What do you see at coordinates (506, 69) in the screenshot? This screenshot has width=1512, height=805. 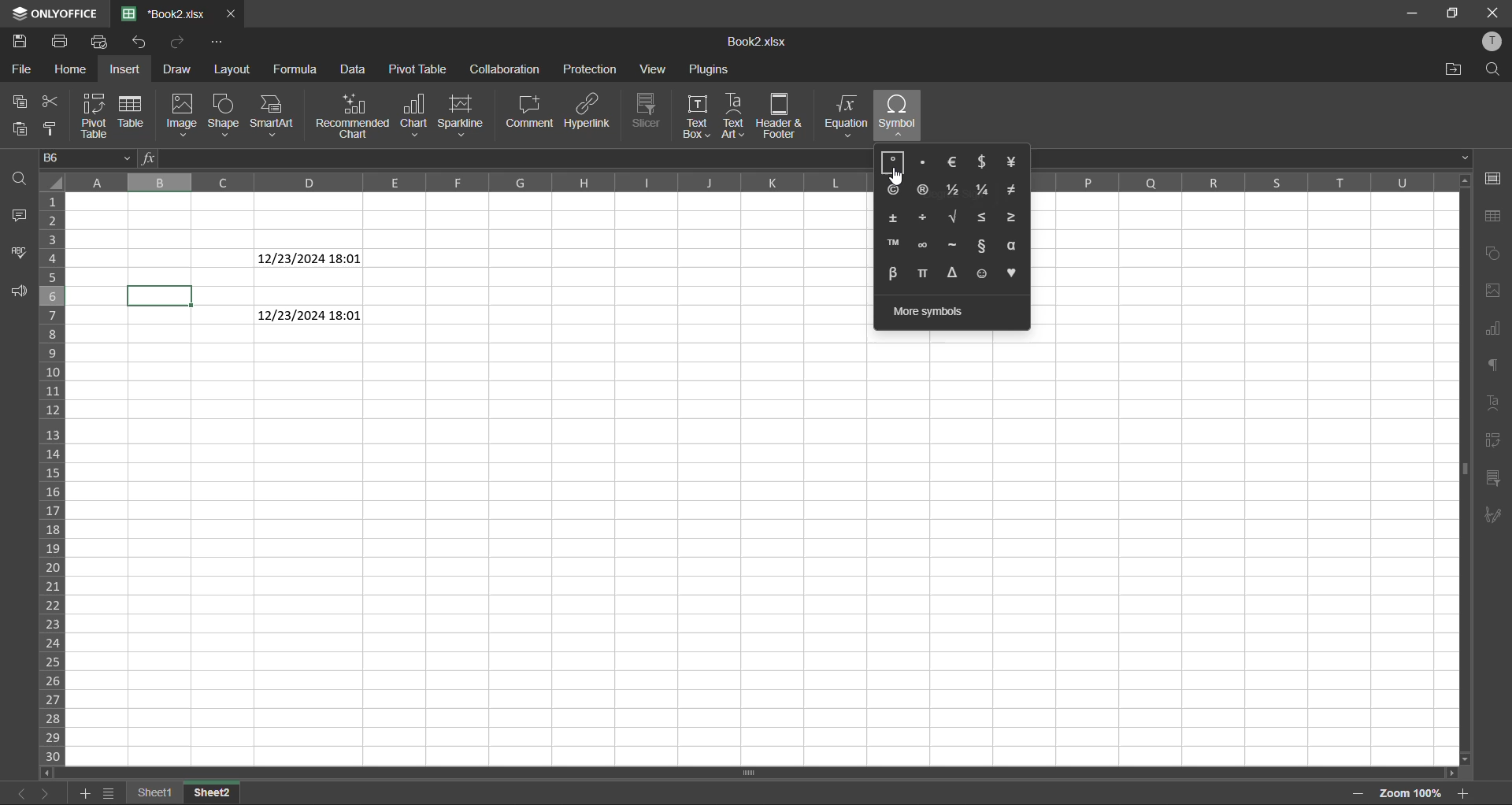 I see `collaboration` at bounding box center [506, 69].